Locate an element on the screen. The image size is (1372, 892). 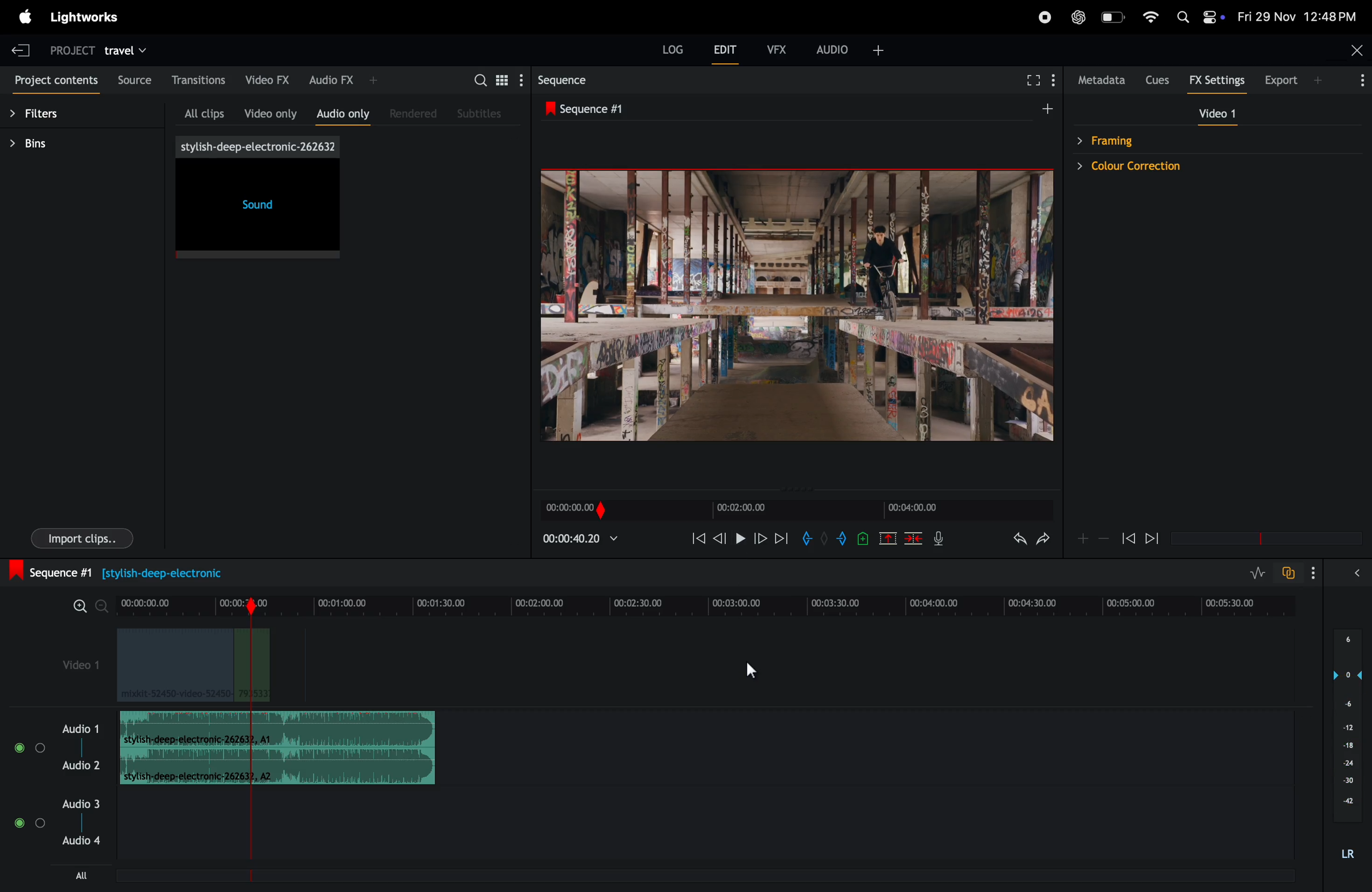
source is located at coordinates (133, 82).